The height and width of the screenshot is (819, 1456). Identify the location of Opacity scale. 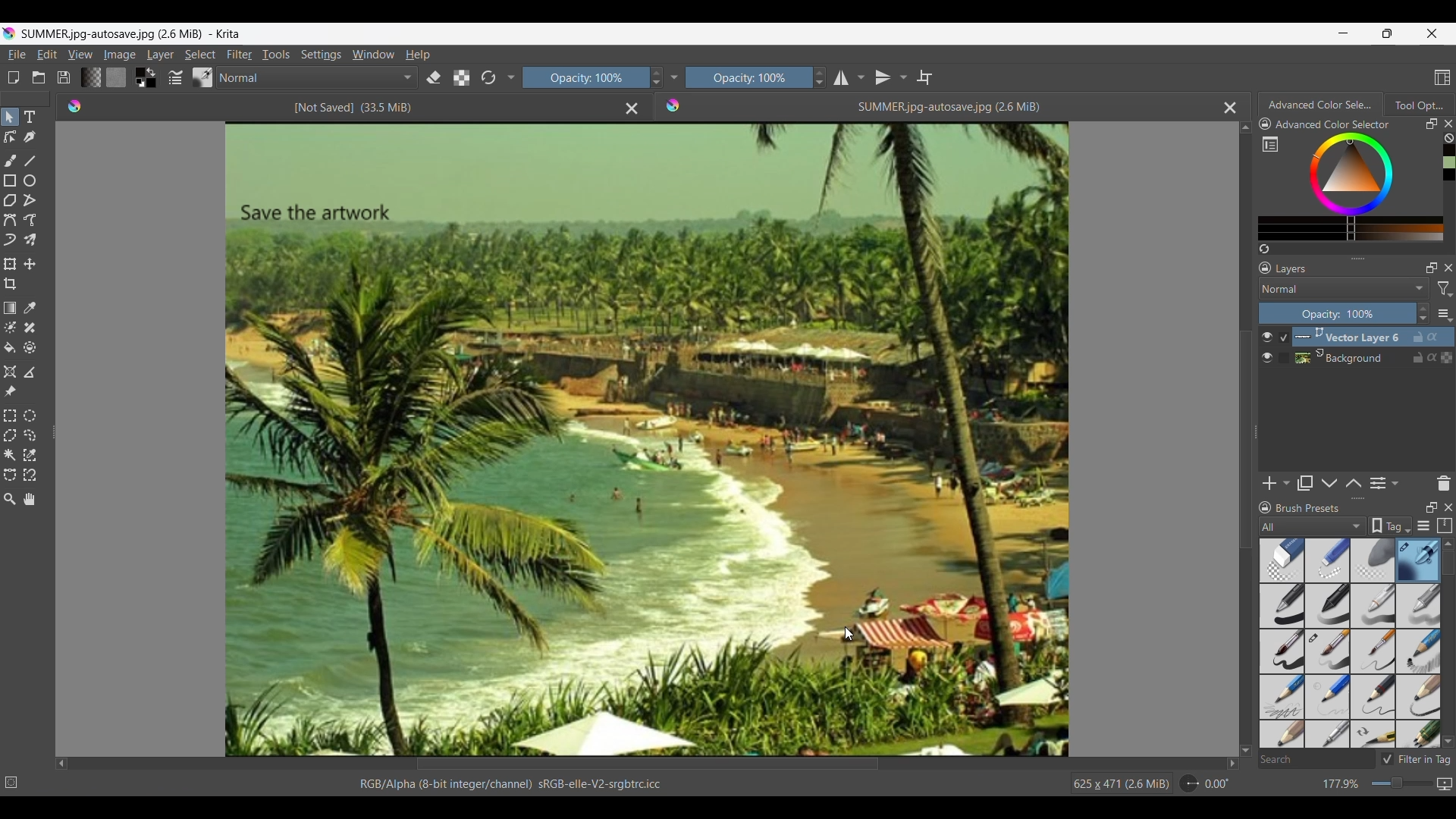
(745, 77).